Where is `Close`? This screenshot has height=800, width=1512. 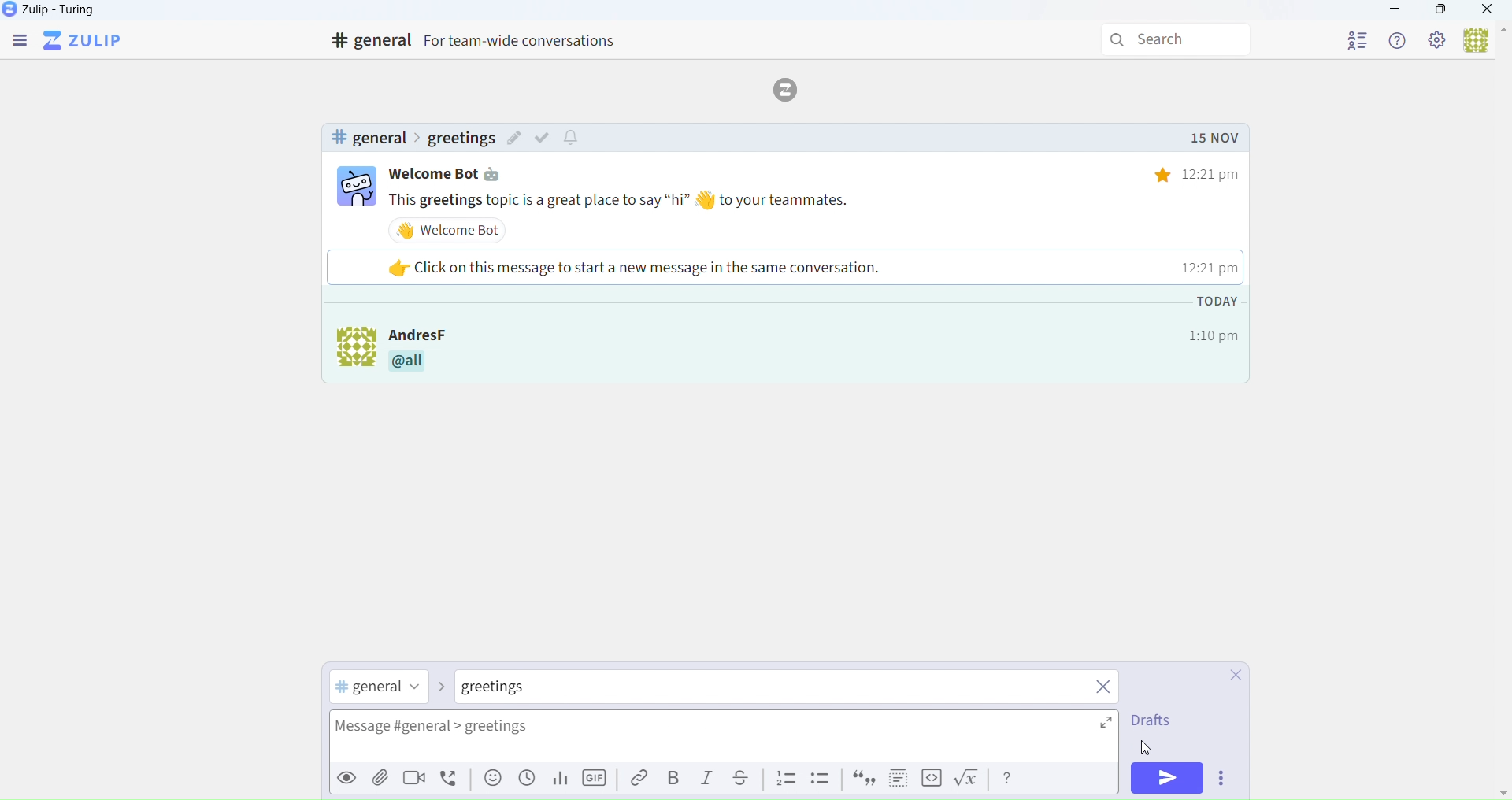 Close is located at coordinates (1488, 11).